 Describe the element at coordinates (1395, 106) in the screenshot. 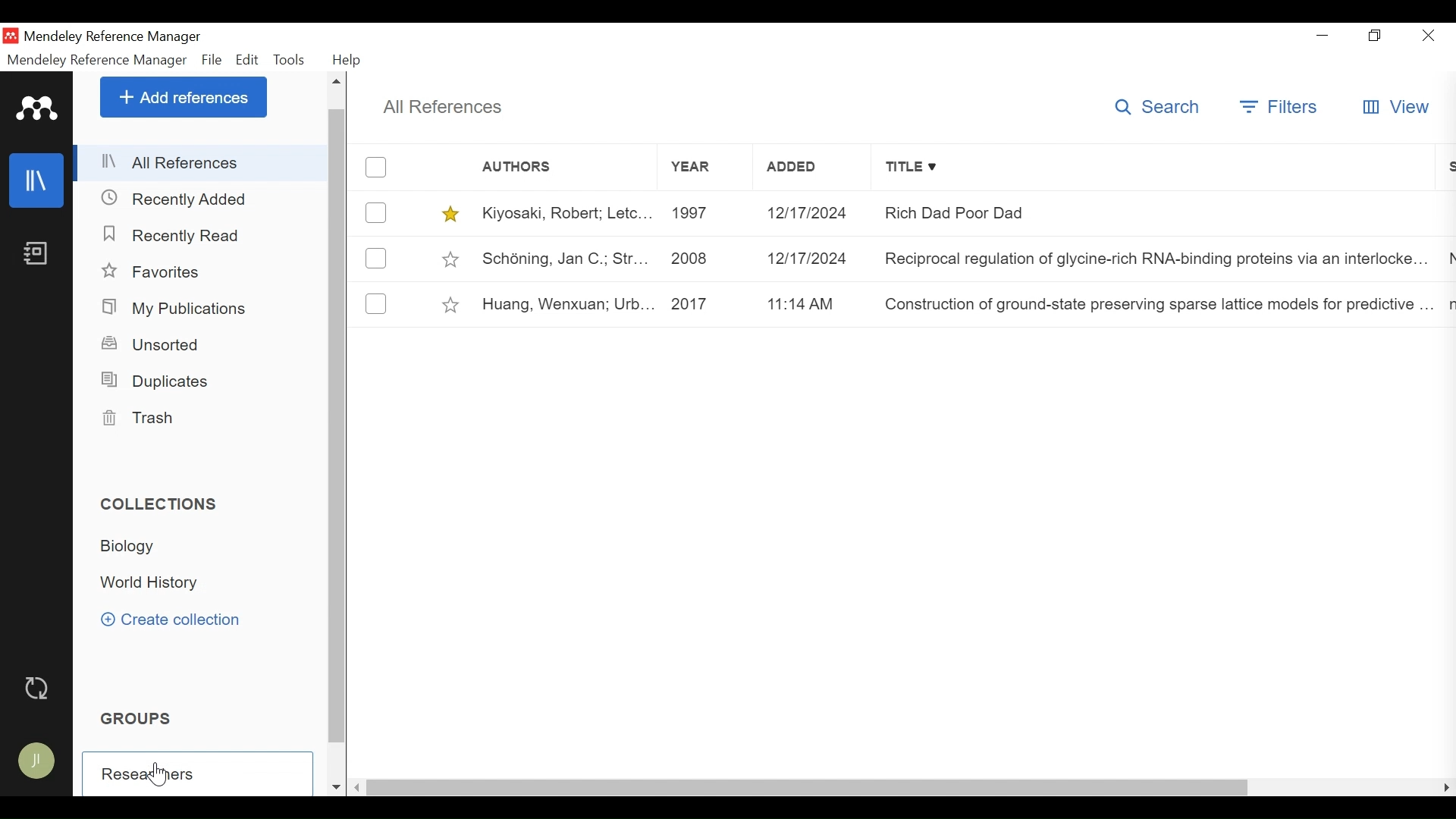

I see `View` at that location.